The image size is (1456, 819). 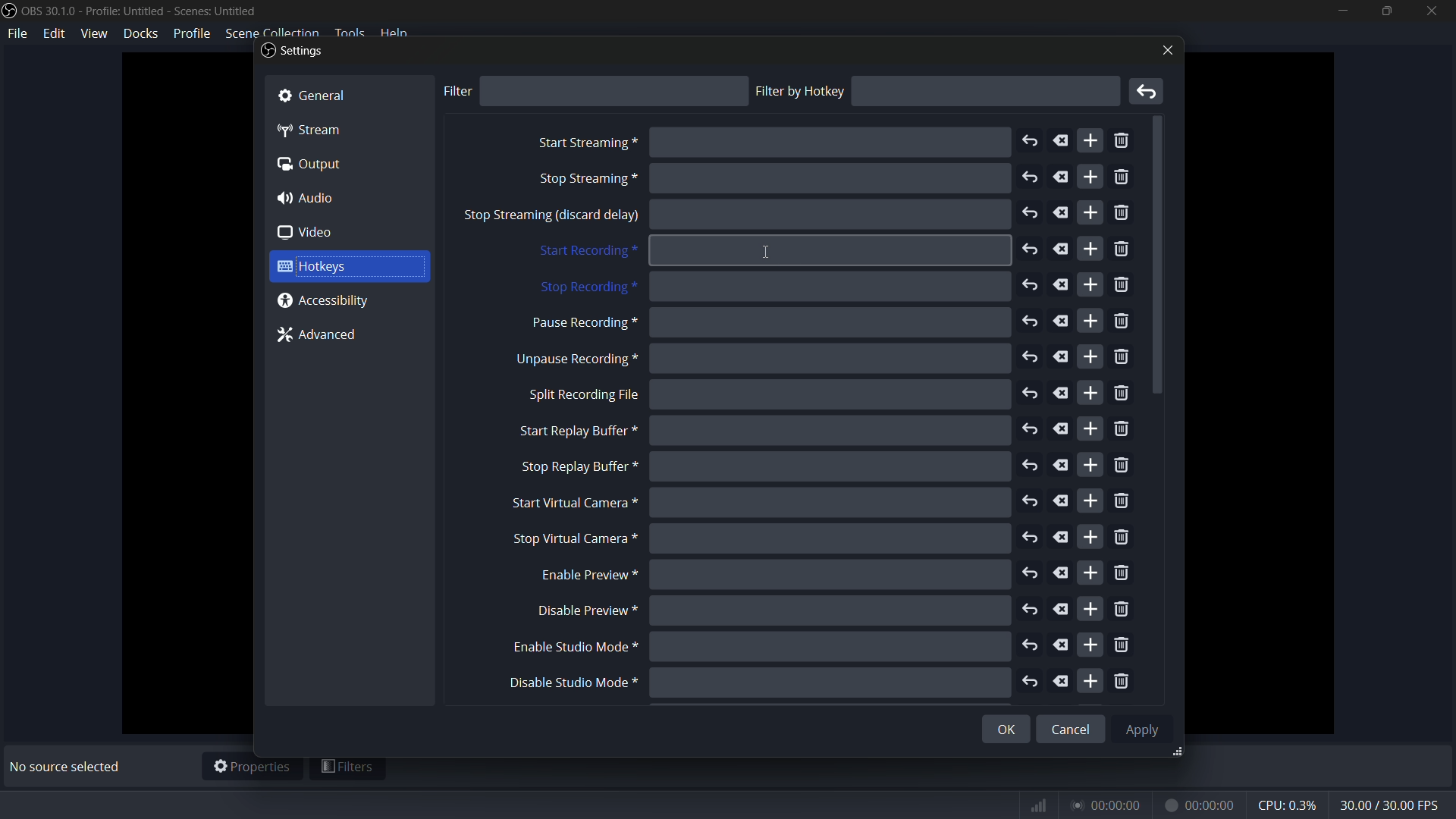 What do you see at coordinates (588, 610) in the screenshot?
I see `disable preview` at bounding box center [588, 610].